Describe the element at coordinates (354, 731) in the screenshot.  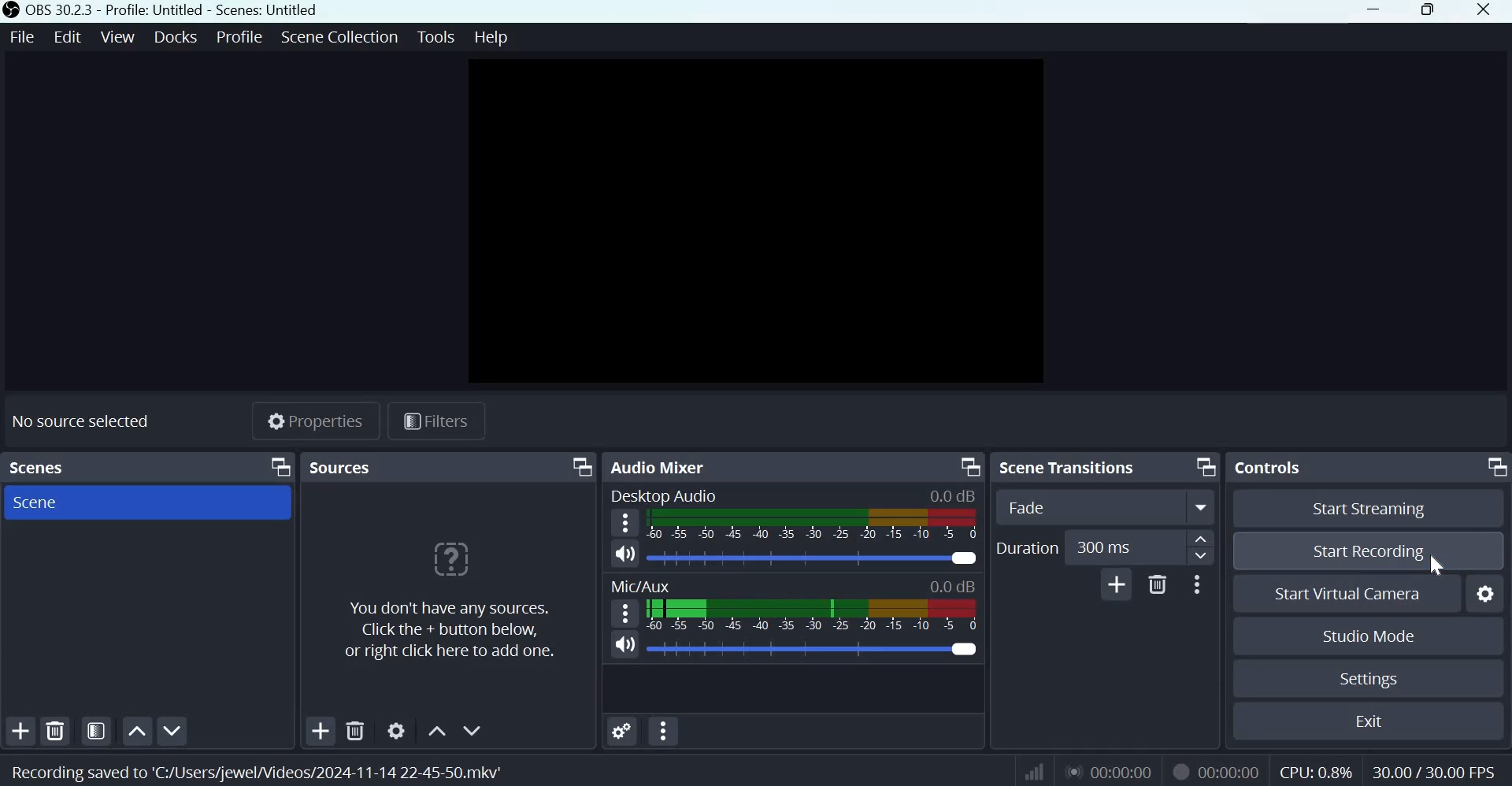
I see `Remove selected source(s)` at that location.